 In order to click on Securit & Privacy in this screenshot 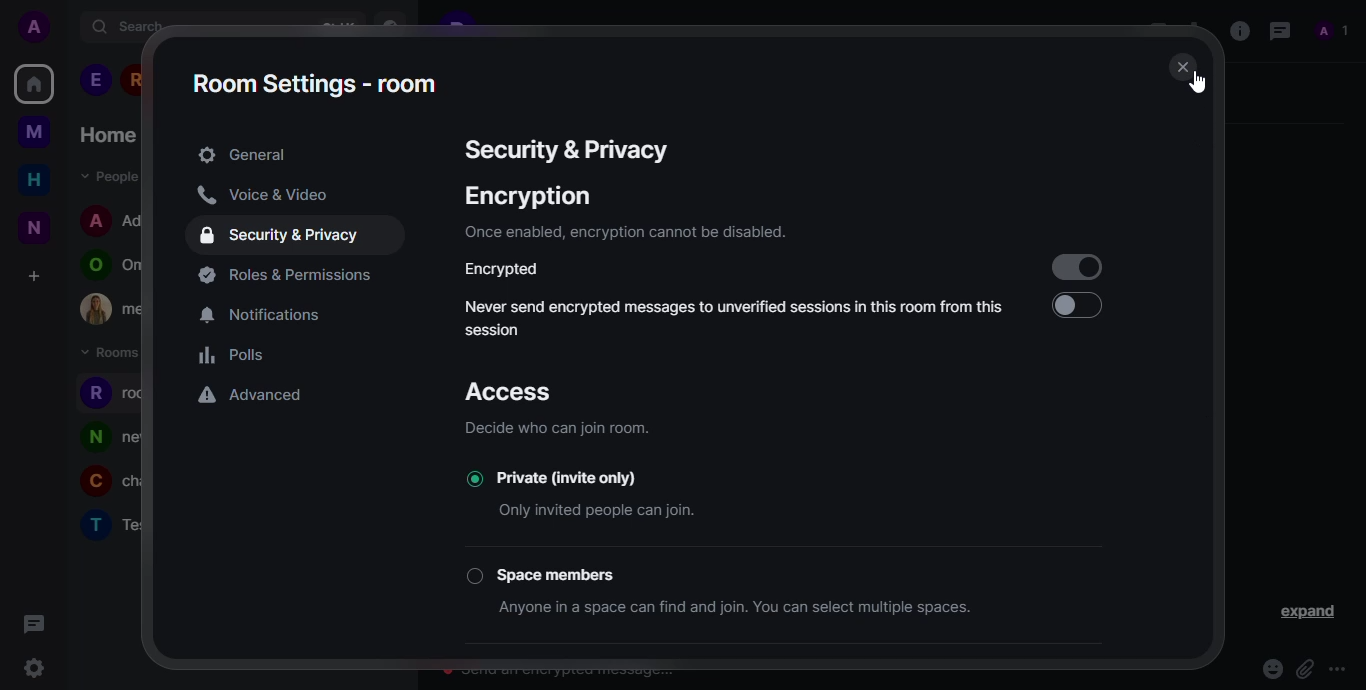, I will do `click(575, 153)`.